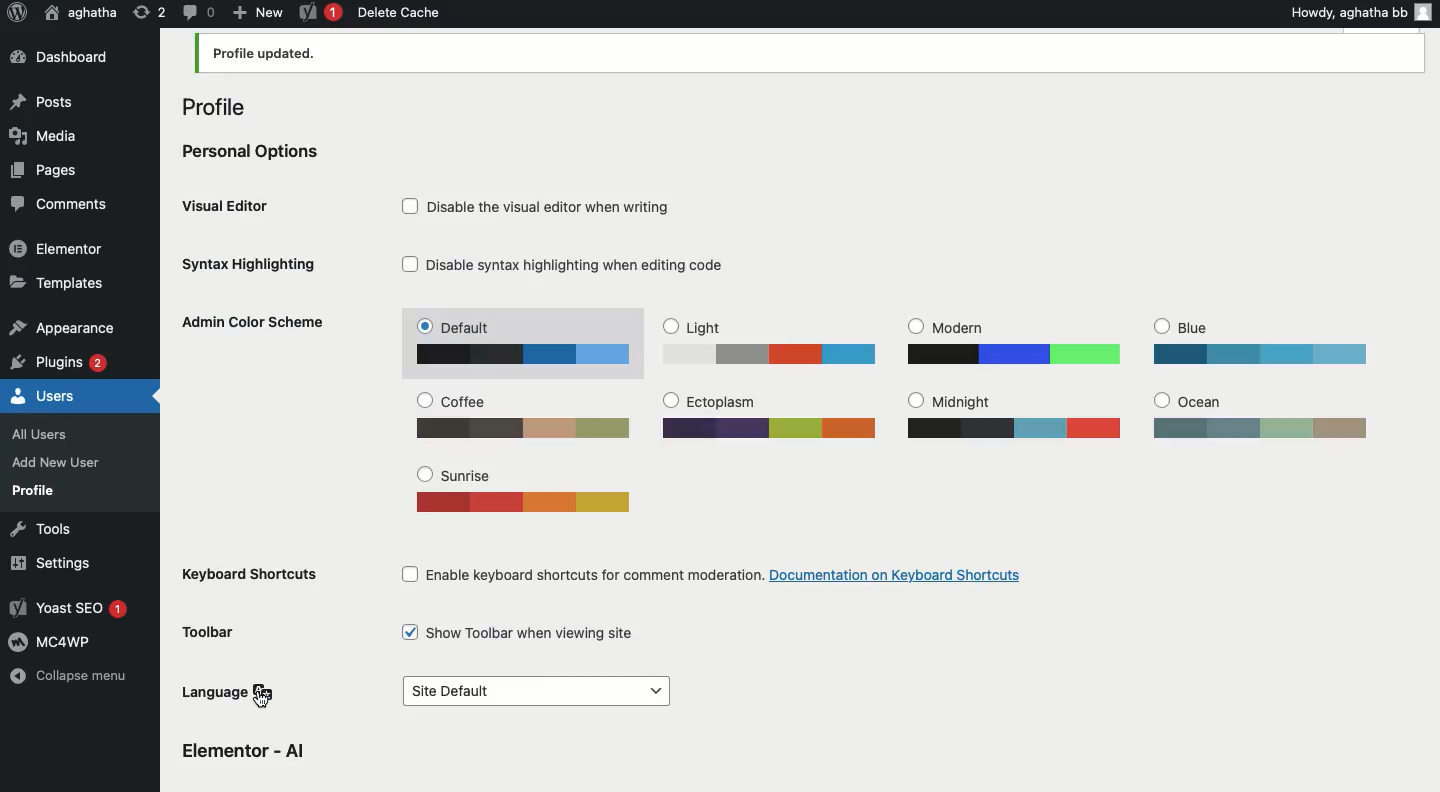 The width and height of the screenshot is (1440, 792). I want to click on Midnight, so click(1013, 414).